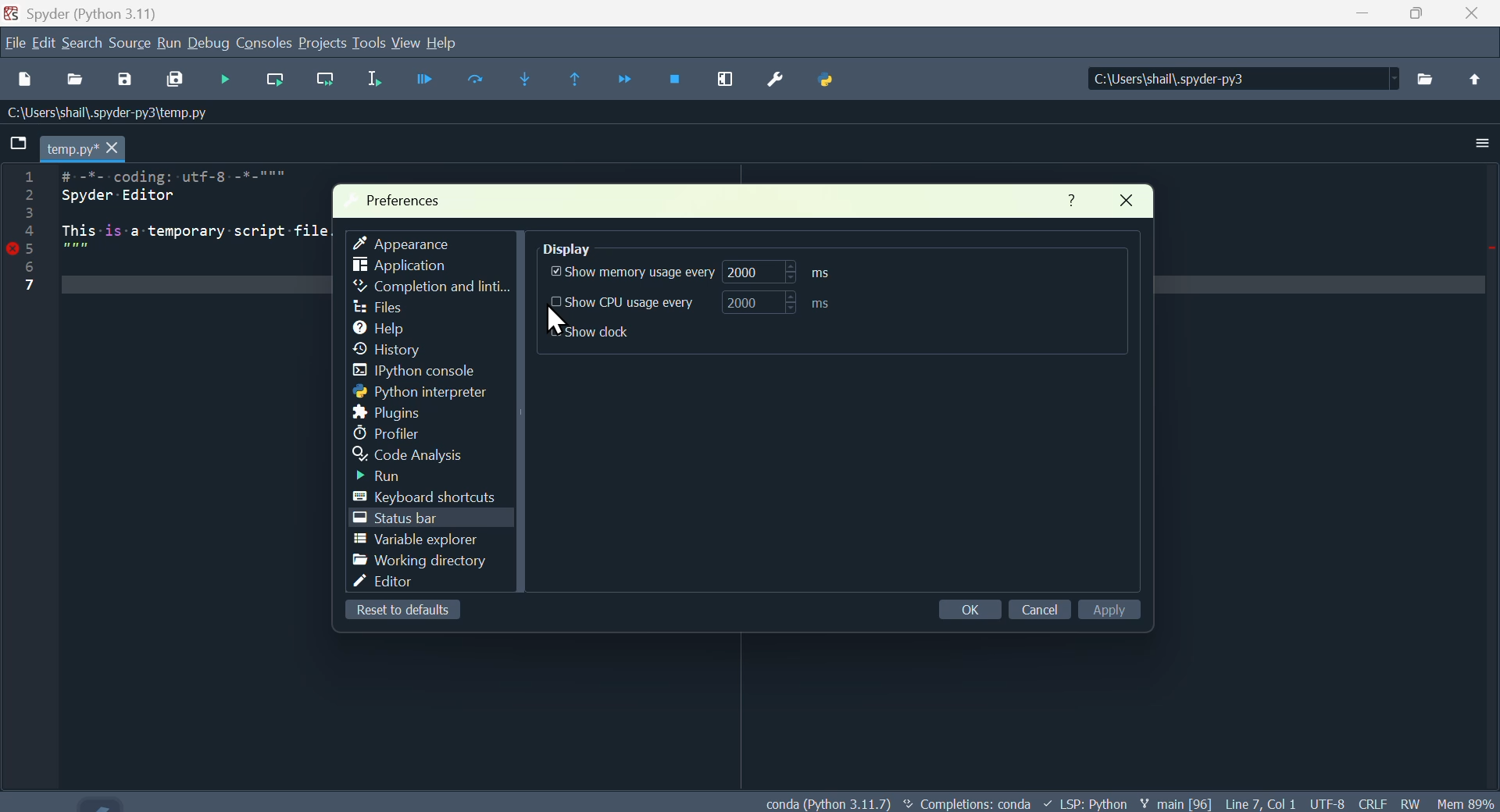 The image size is (1500, 812). What do you see at coordinates (385, 412) in the screenshot?
I see `Plugins` at bounding box center [385, 412].